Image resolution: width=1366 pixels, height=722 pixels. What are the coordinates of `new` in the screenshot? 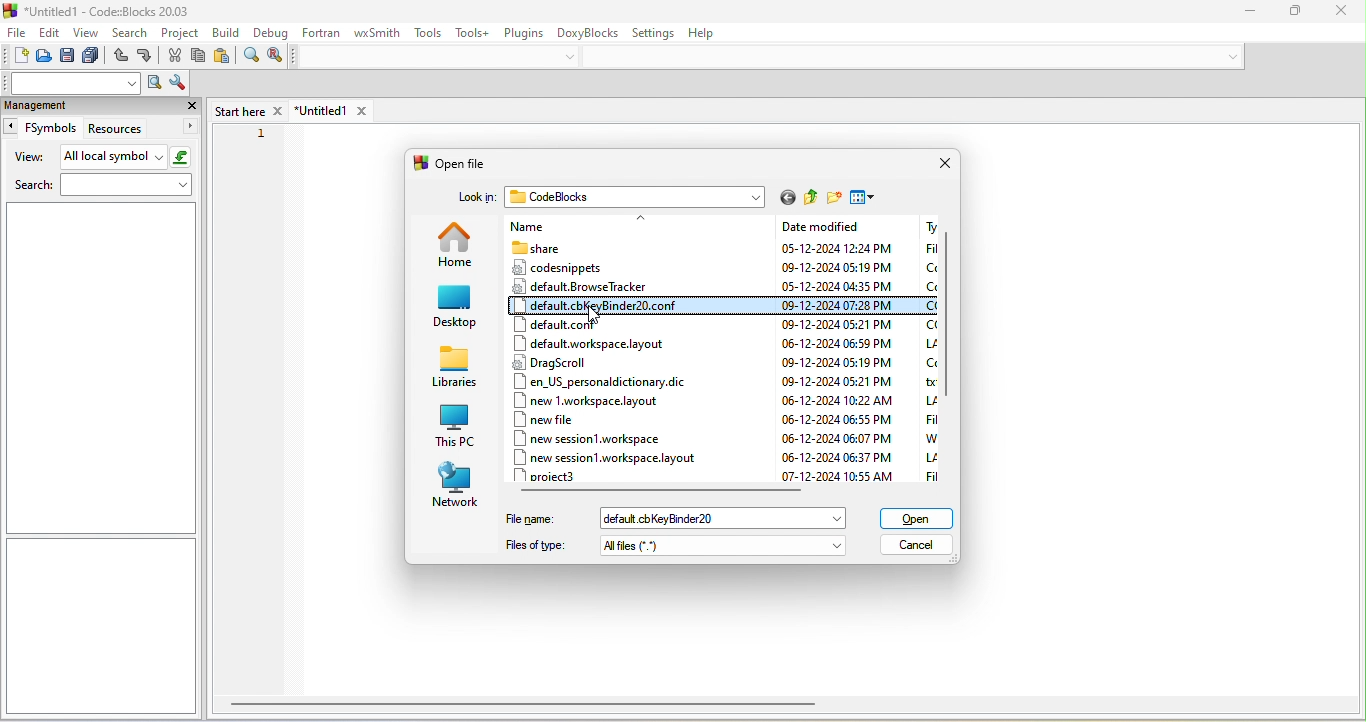 It's located at (16, 57).